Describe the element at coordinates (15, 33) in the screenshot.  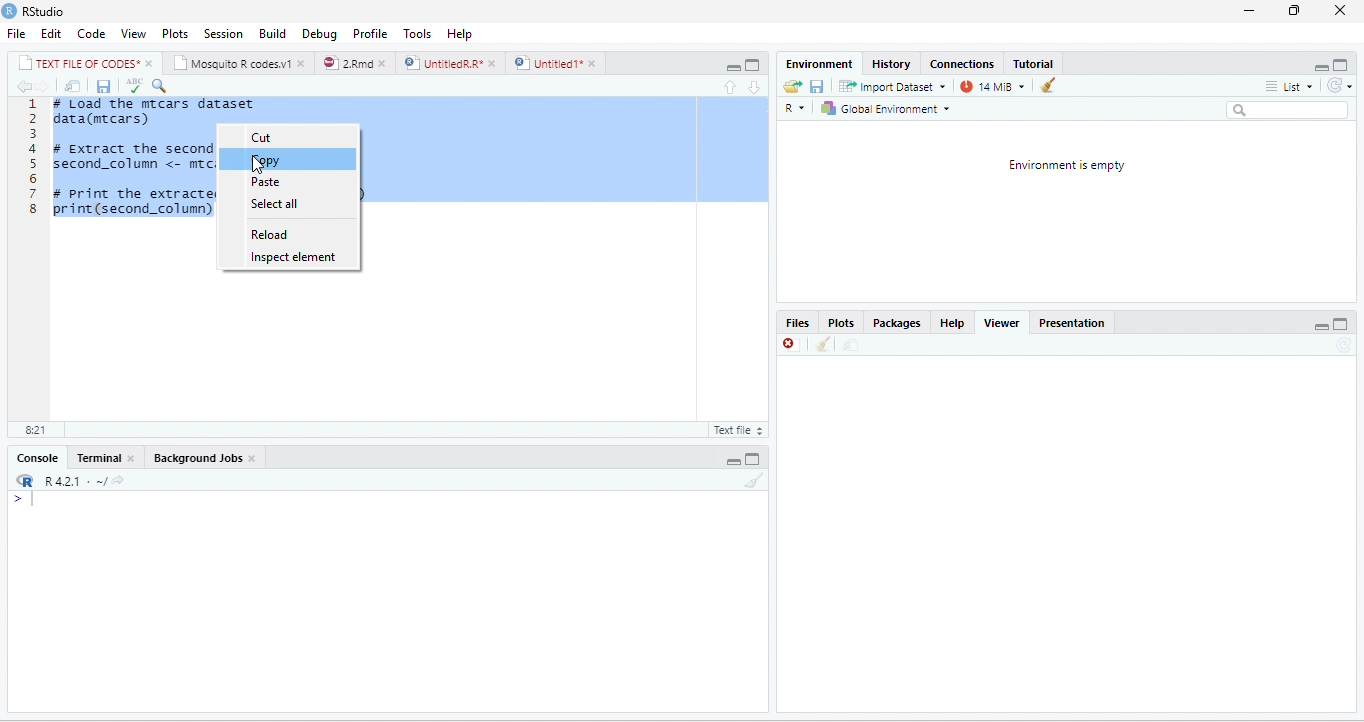
I see `File` at that location.